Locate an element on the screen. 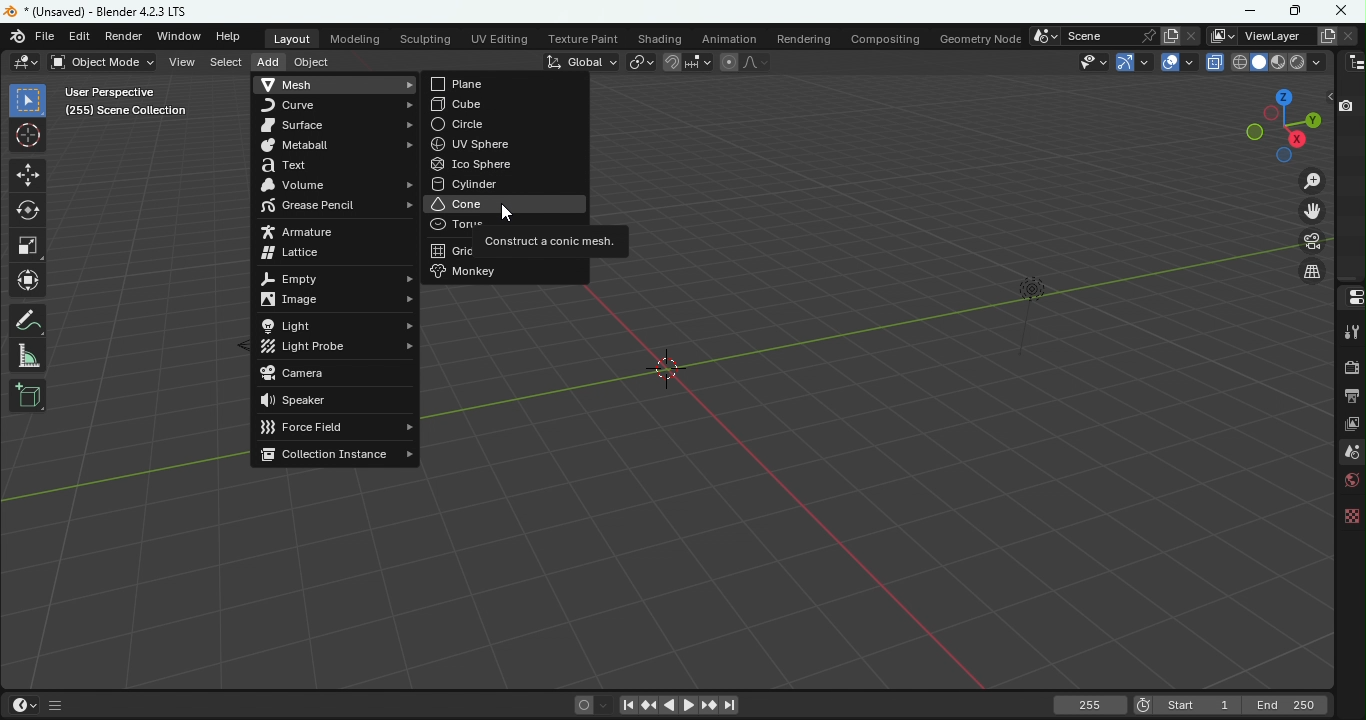 This screenshot has height=720, width=1366. Cursor is located at coordinates (504, 210).